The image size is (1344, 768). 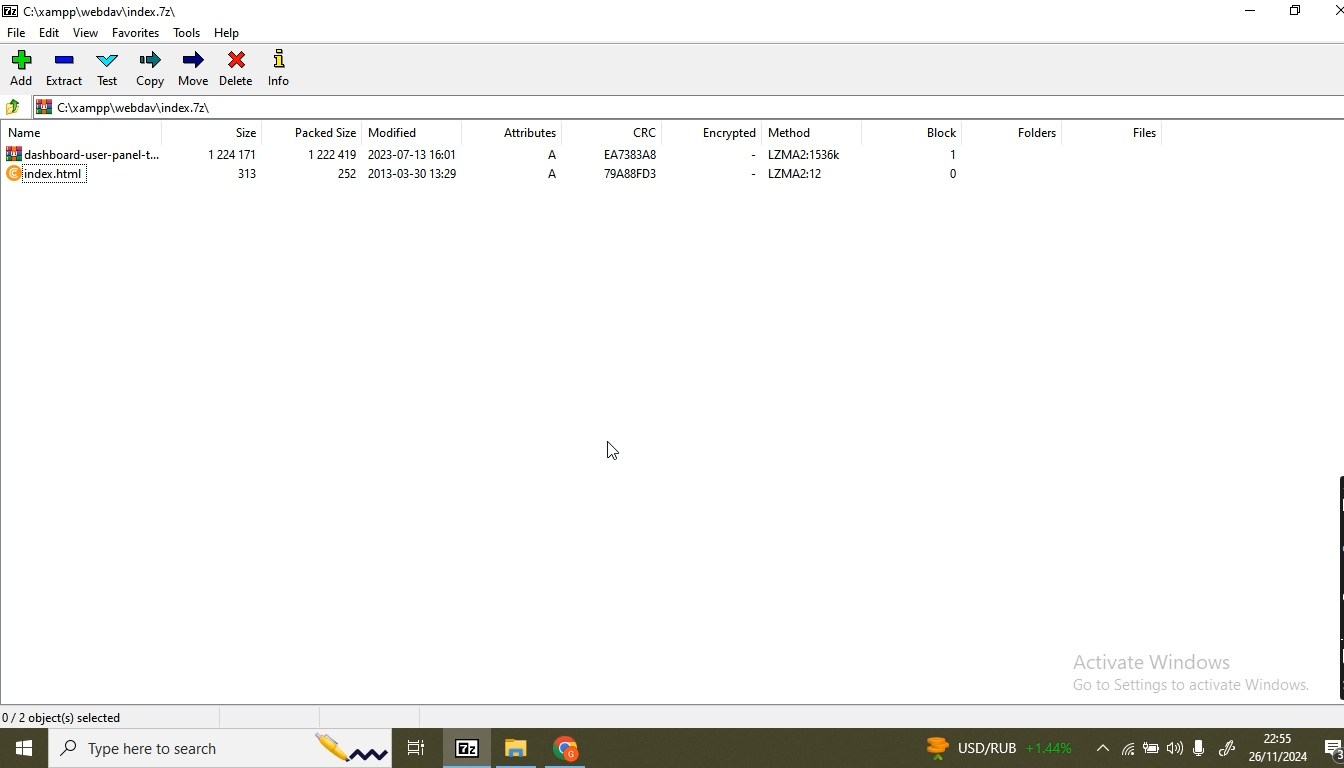 I want to click on name, so click(x=27, y=132).